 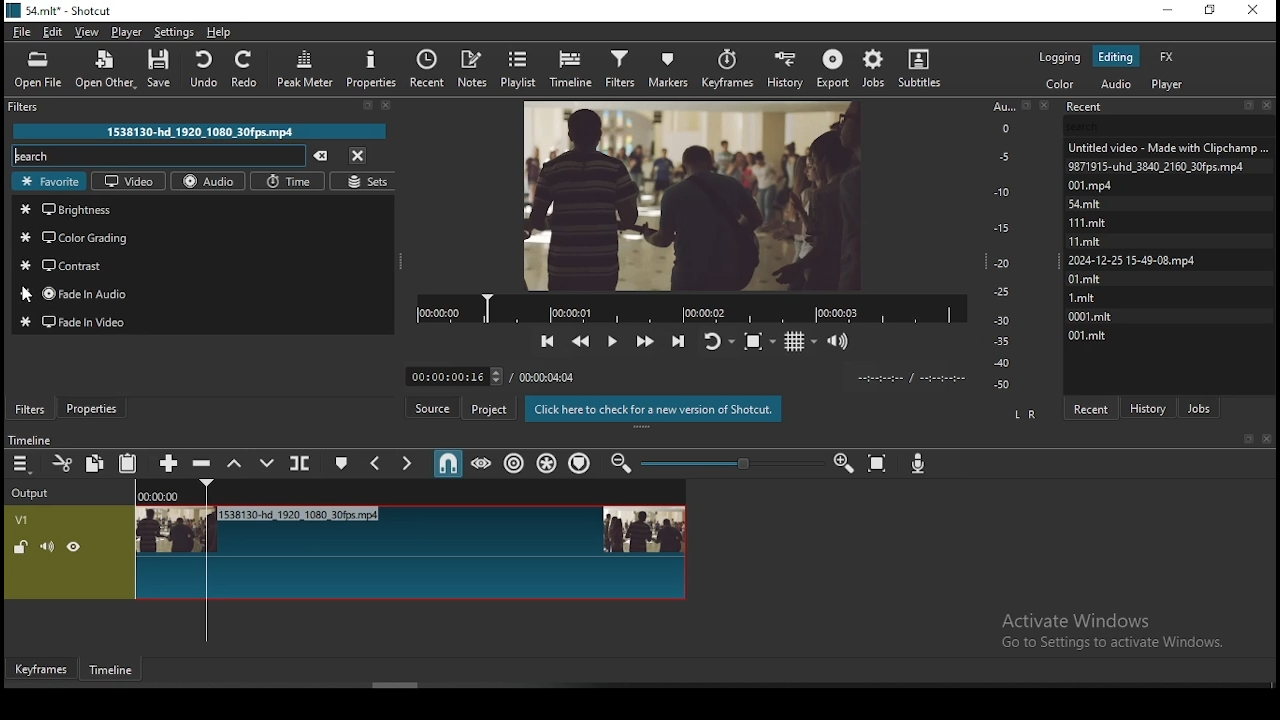 I want to click on audio, so click(x=1116, y=84).